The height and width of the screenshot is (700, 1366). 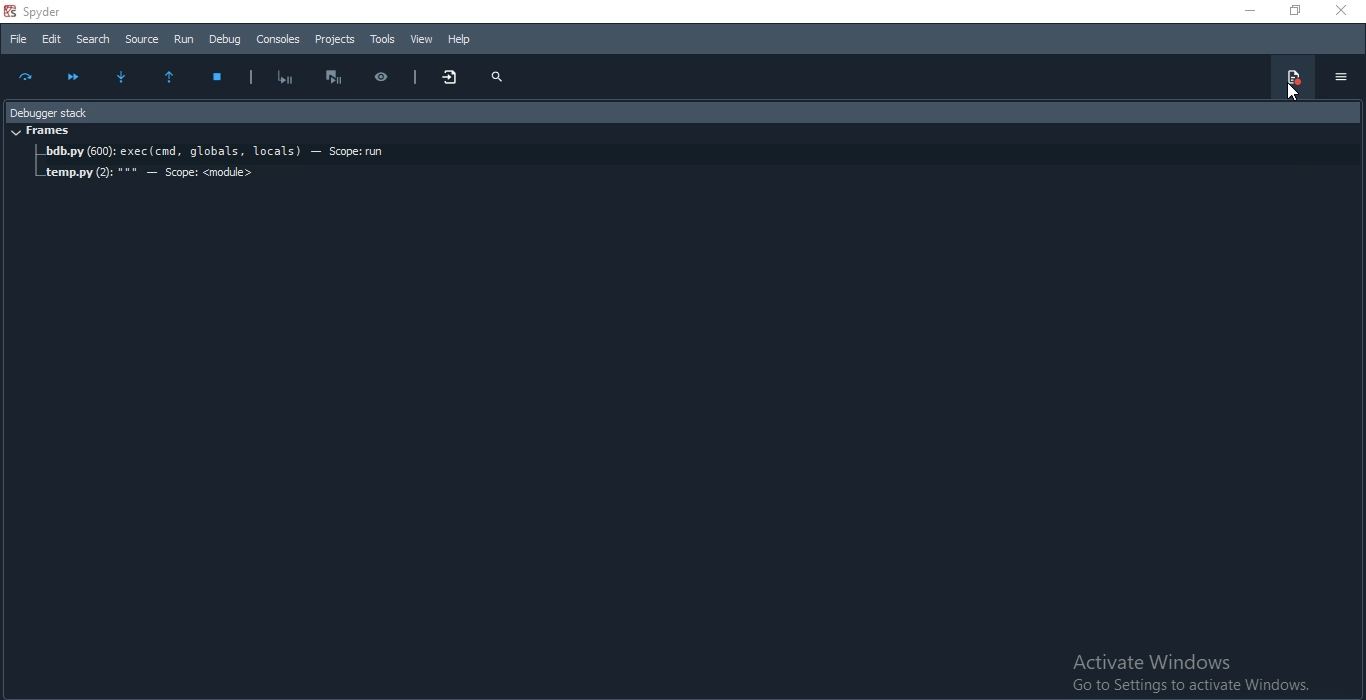 What do you see at coordinates (175, 78) in the screenshot?
I see `Execute till; function or methods return` at bounding box center [175, 78].